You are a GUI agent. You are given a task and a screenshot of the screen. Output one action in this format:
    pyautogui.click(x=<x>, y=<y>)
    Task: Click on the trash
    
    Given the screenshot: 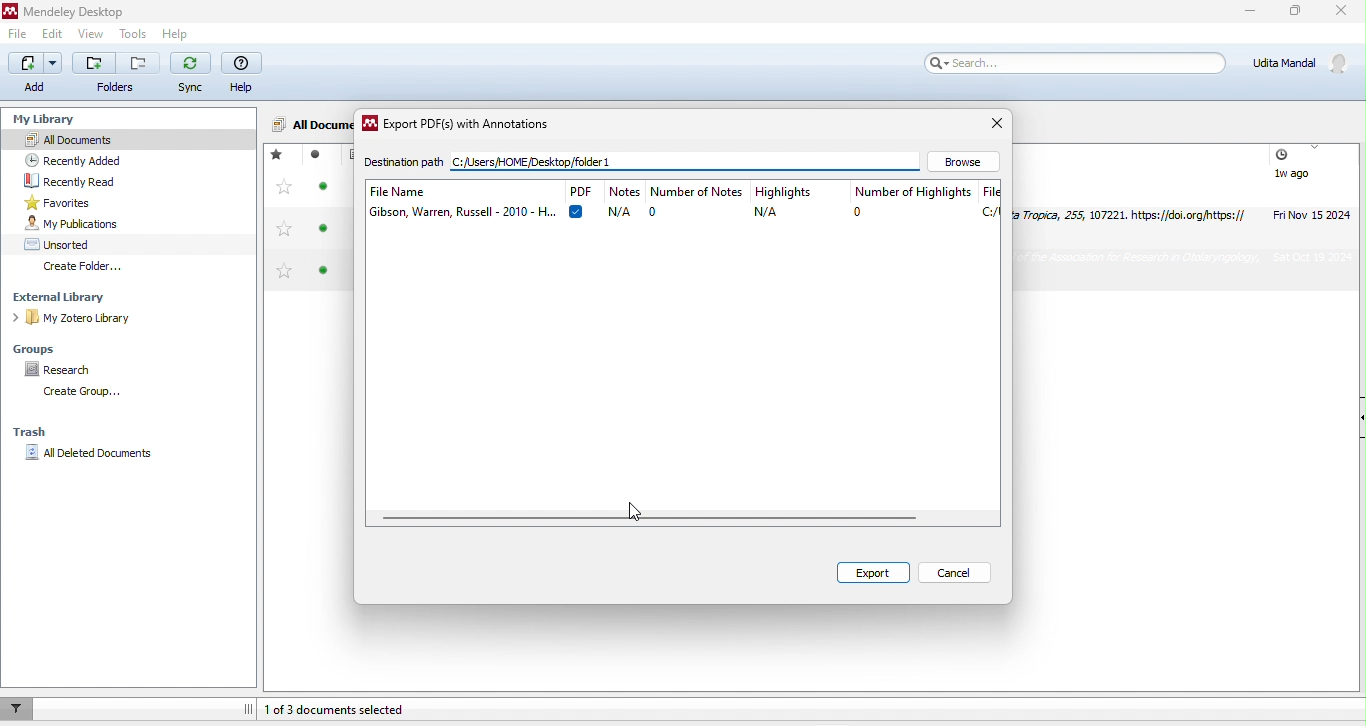 What is the action you would take?
    pyautogui.click(x=35, y=434)
    